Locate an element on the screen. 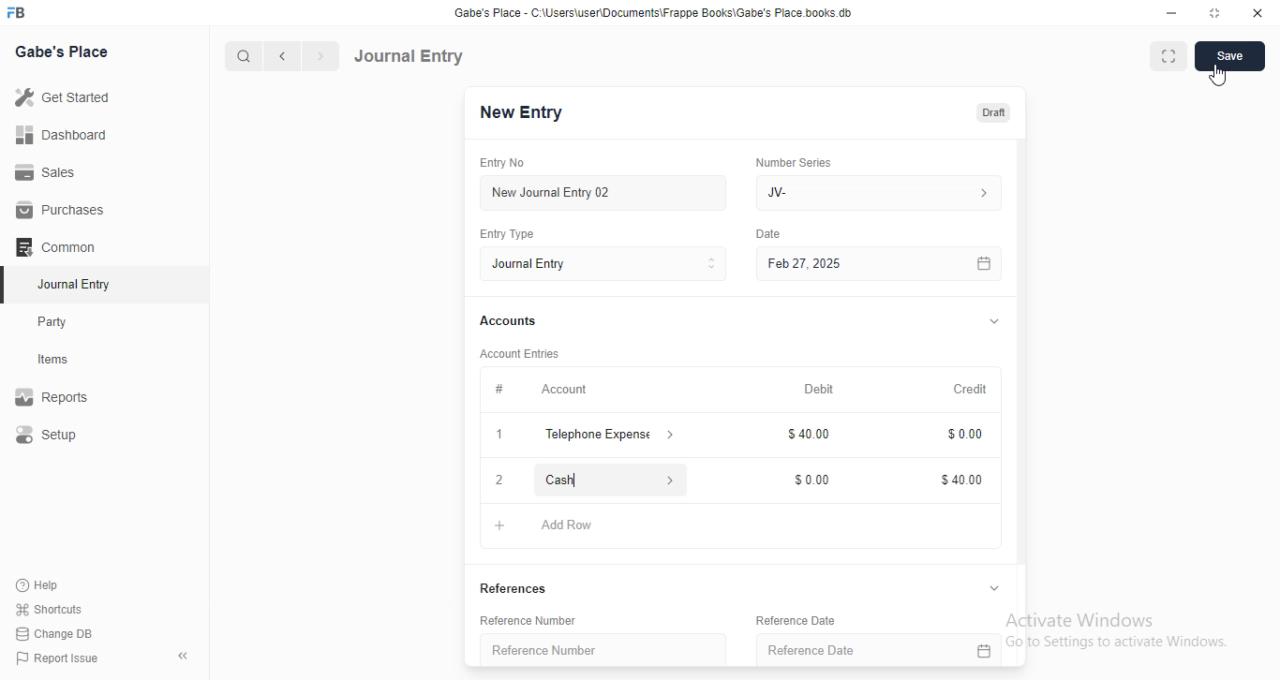 The image size is (1280, 680). Help is located at coordinates (36, 585).